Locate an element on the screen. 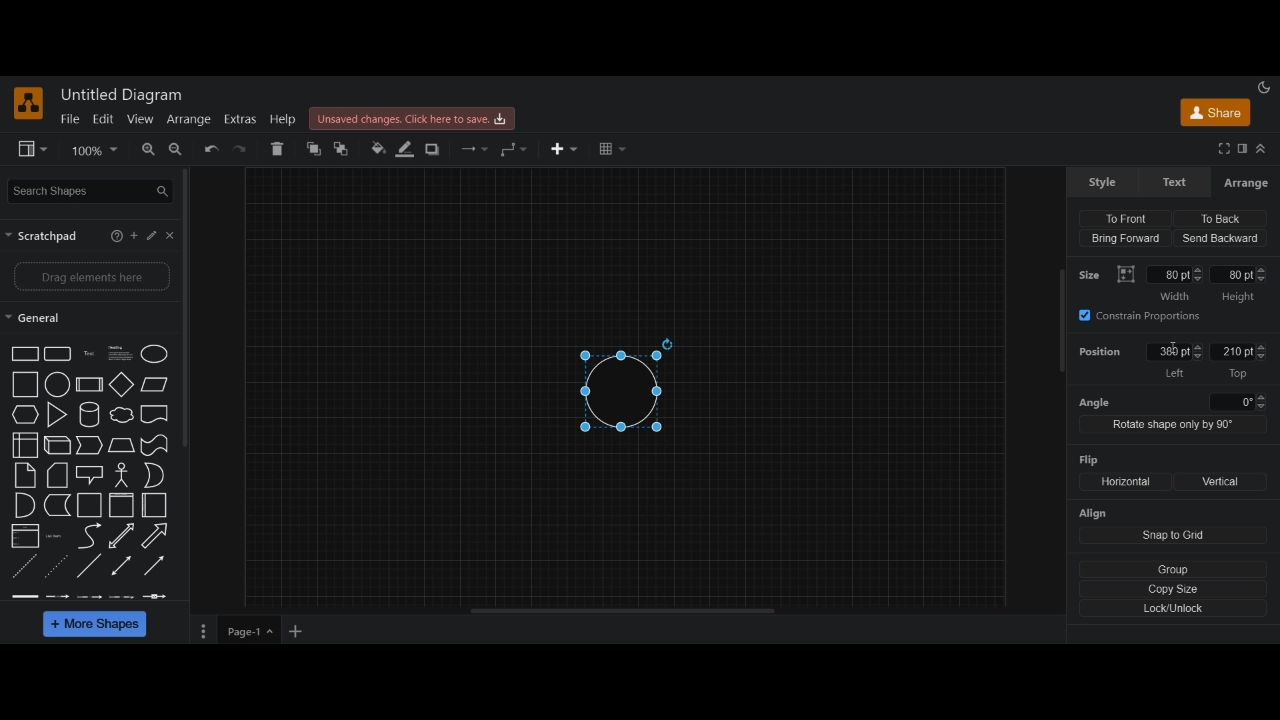 The image size is (1280, 720). view is located at coordinates (139, 119).